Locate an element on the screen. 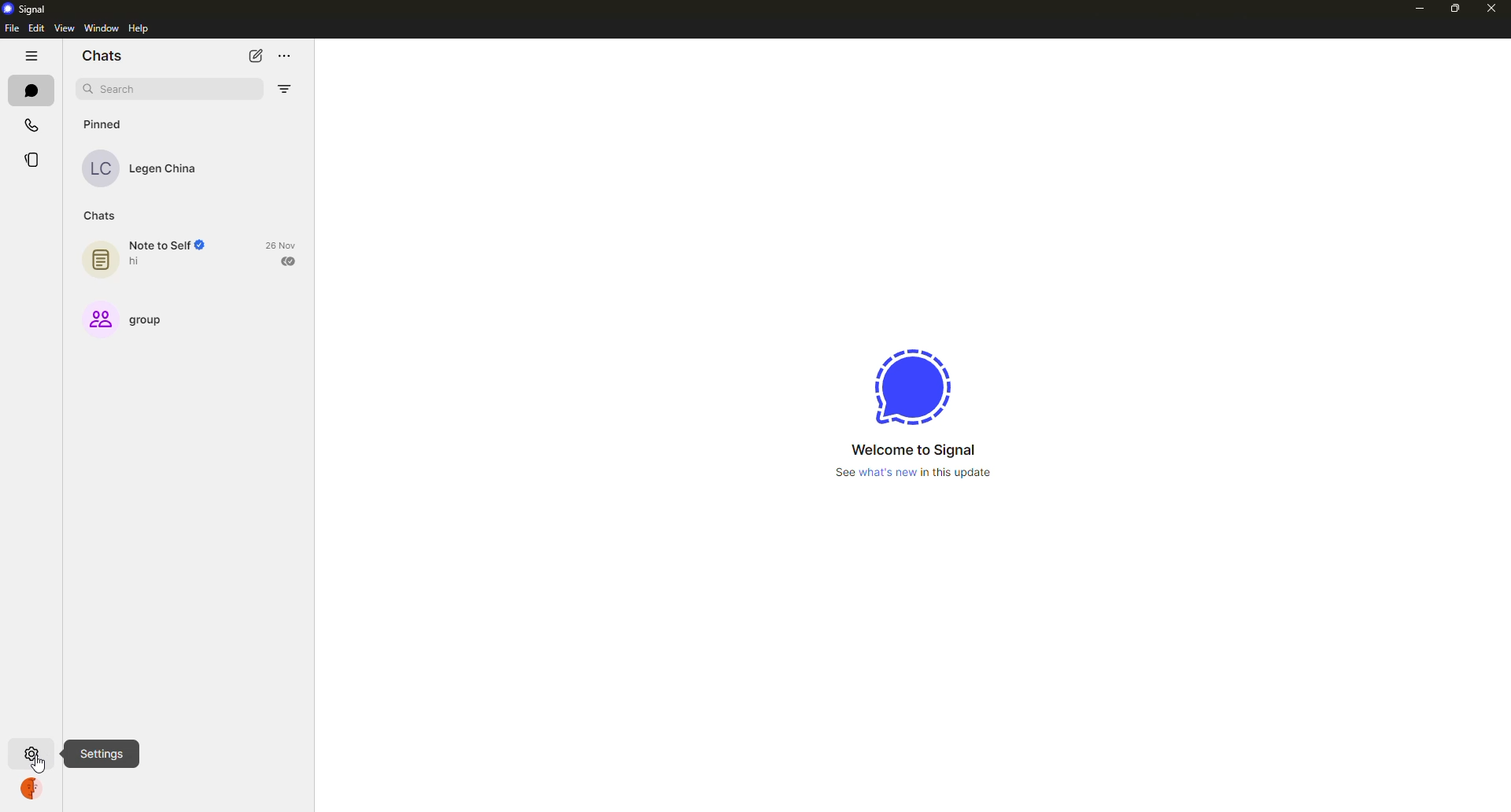 This screenshot has height=812, width=1511. signal is located at coordinates (909, 387).